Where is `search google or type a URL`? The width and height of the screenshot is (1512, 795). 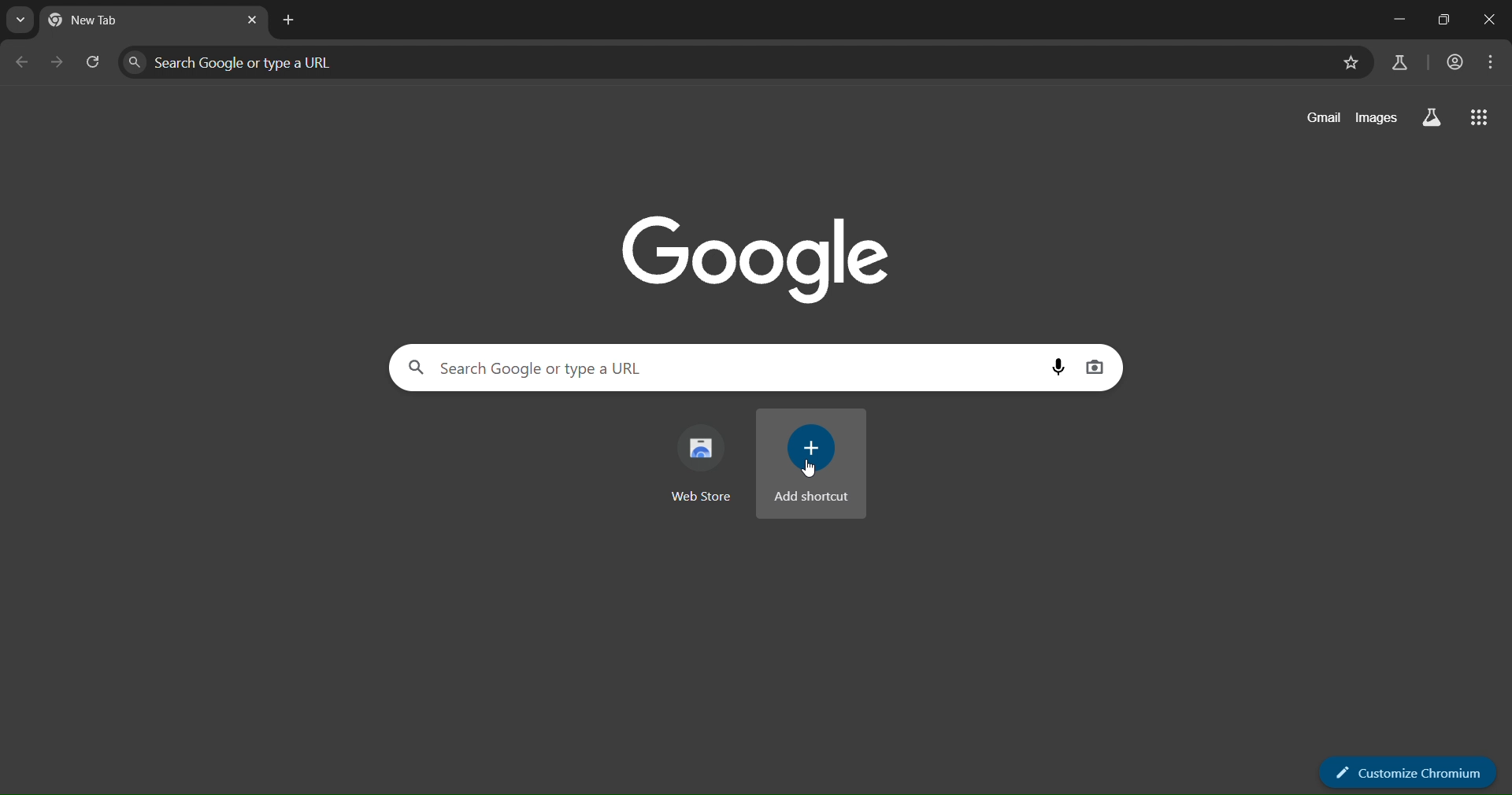
search google or type a URL is located at coordinates (725, 64).